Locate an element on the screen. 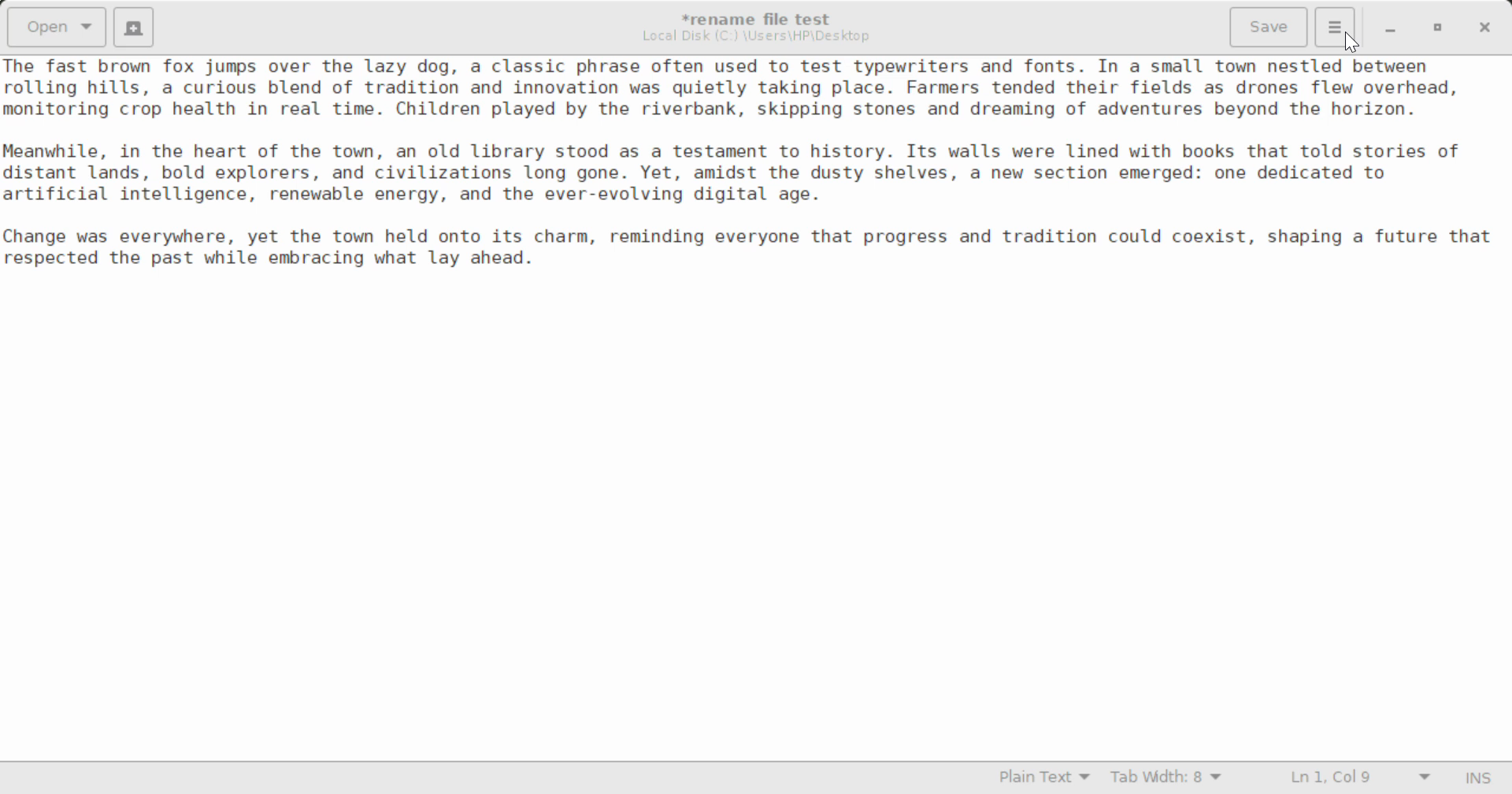 Image resolution: width=1512 pixels, height=794 pixels. Close Window is located at coordinates (1482, 27).